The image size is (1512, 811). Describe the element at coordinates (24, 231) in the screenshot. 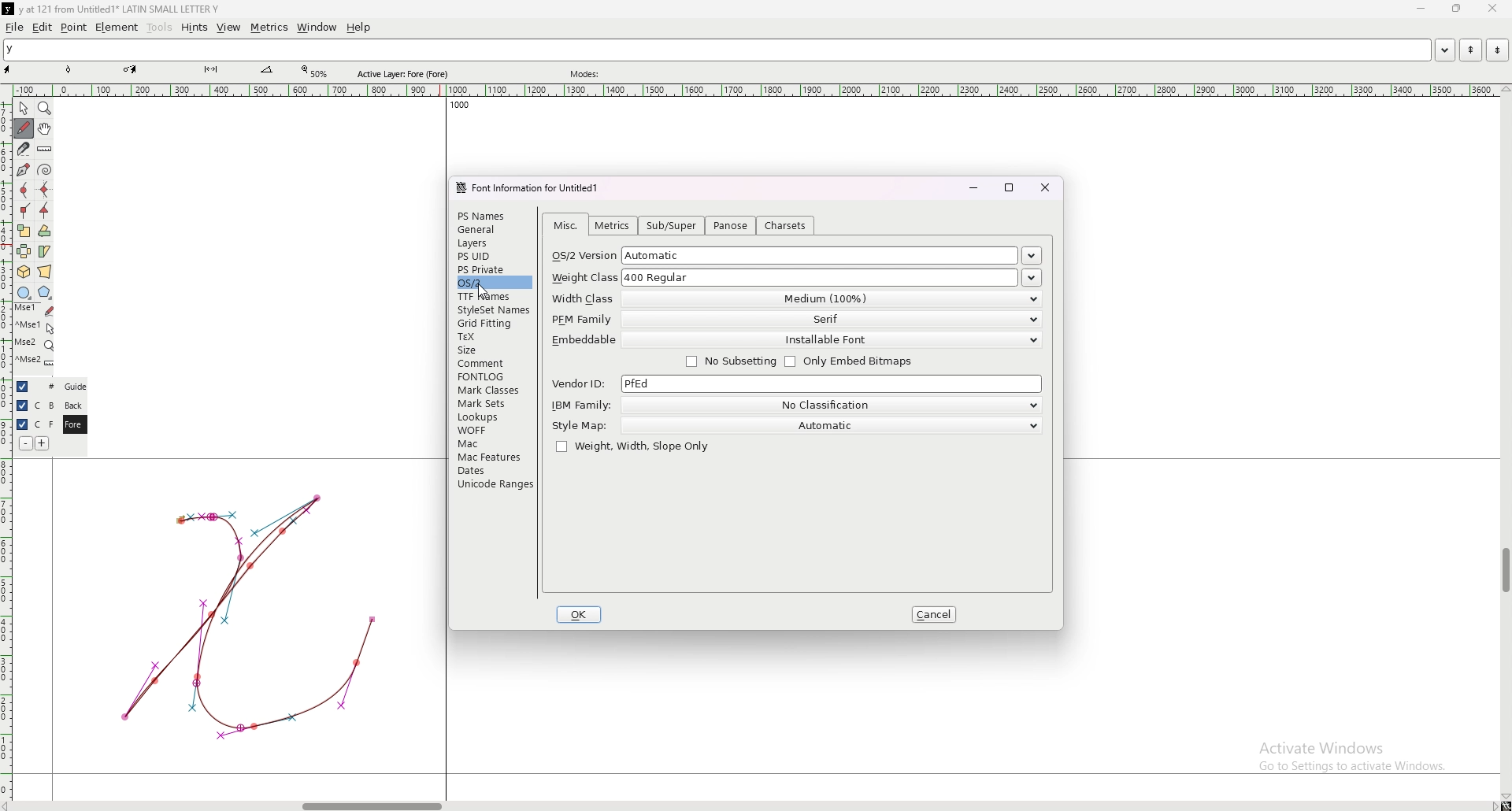

I see `scale the selection` at that location.